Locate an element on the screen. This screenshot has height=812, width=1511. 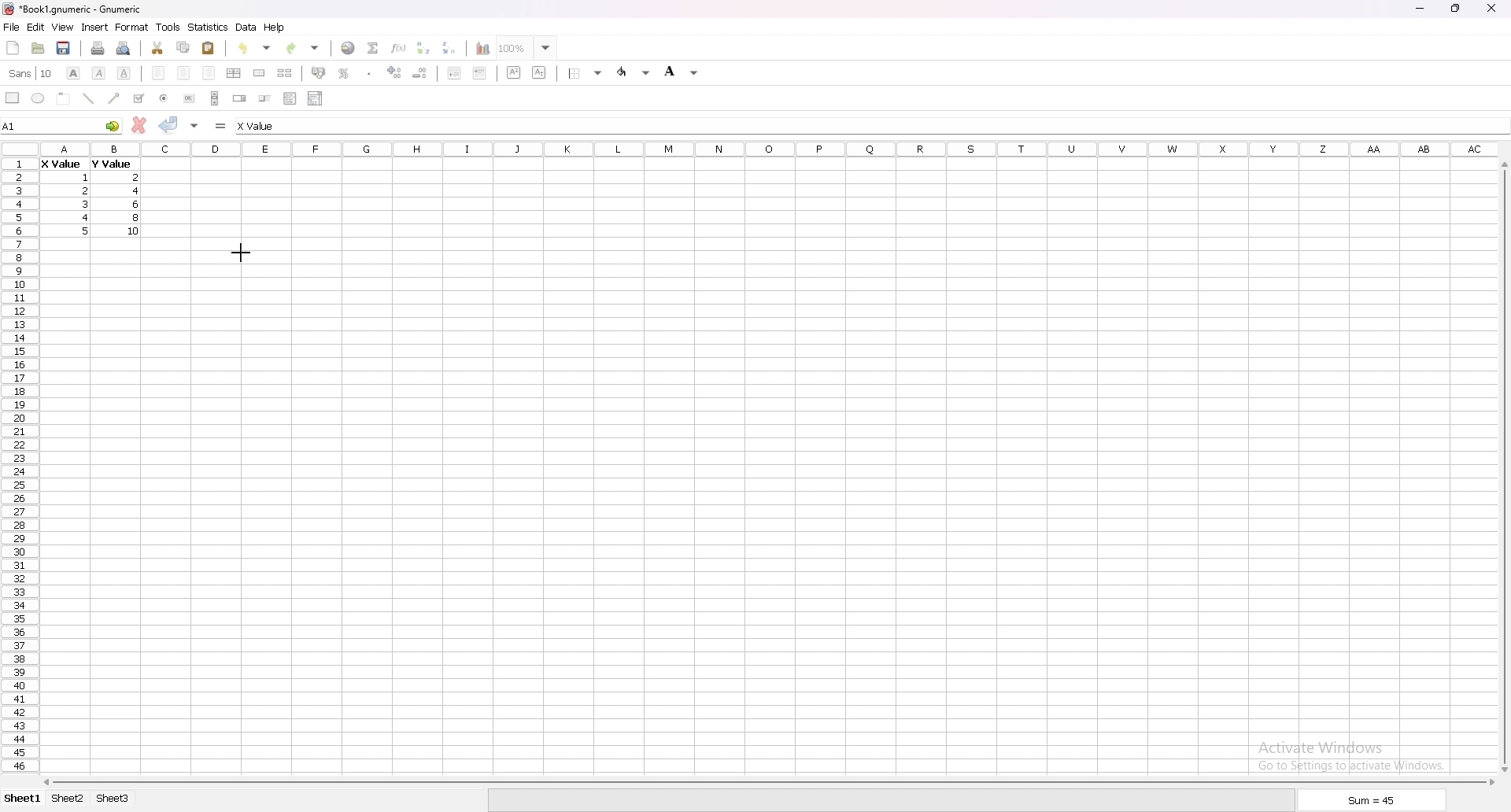
activate windows is located at coordinates (1357, 754).